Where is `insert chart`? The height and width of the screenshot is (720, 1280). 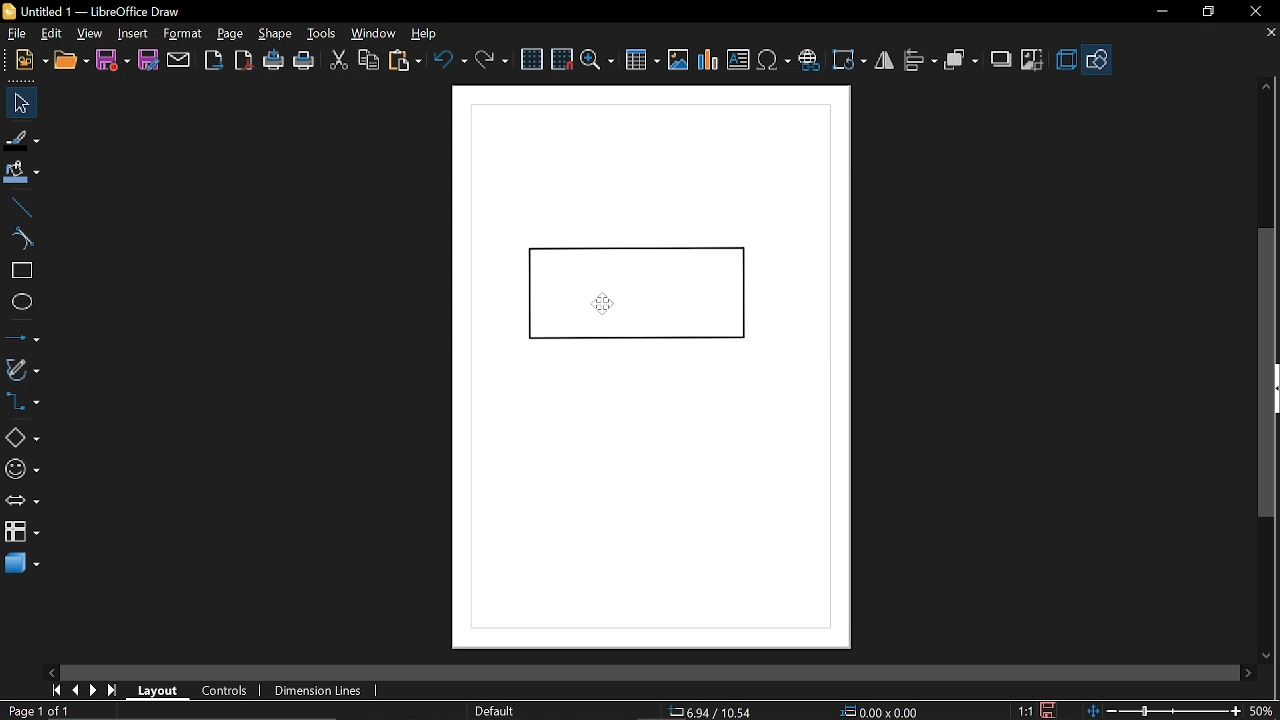
insert chart is located at coordinates (706, 60).